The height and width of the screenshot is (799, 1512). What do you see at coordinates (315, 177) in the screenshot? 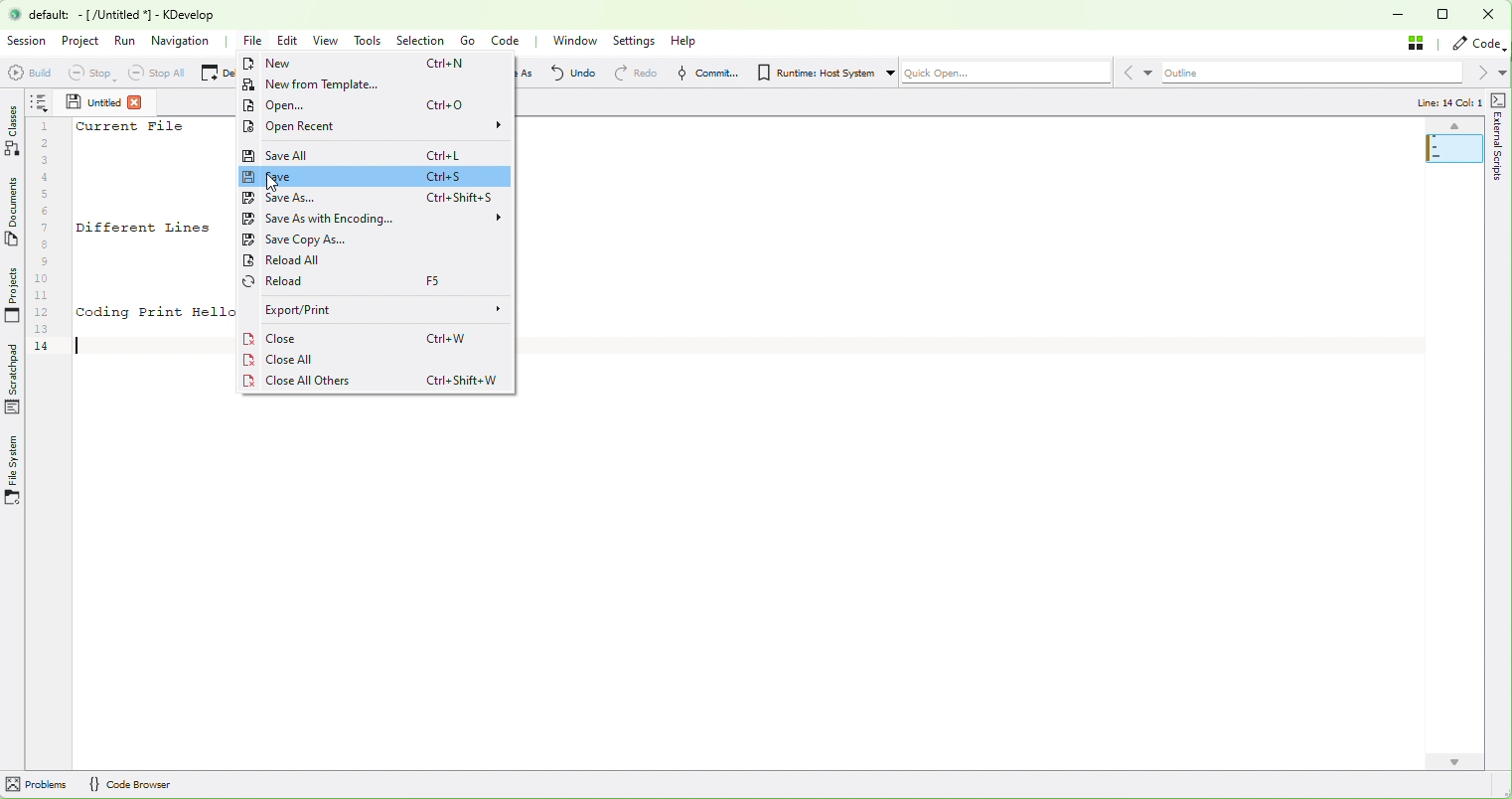
I see `Save` at bounding box center [315, 177].